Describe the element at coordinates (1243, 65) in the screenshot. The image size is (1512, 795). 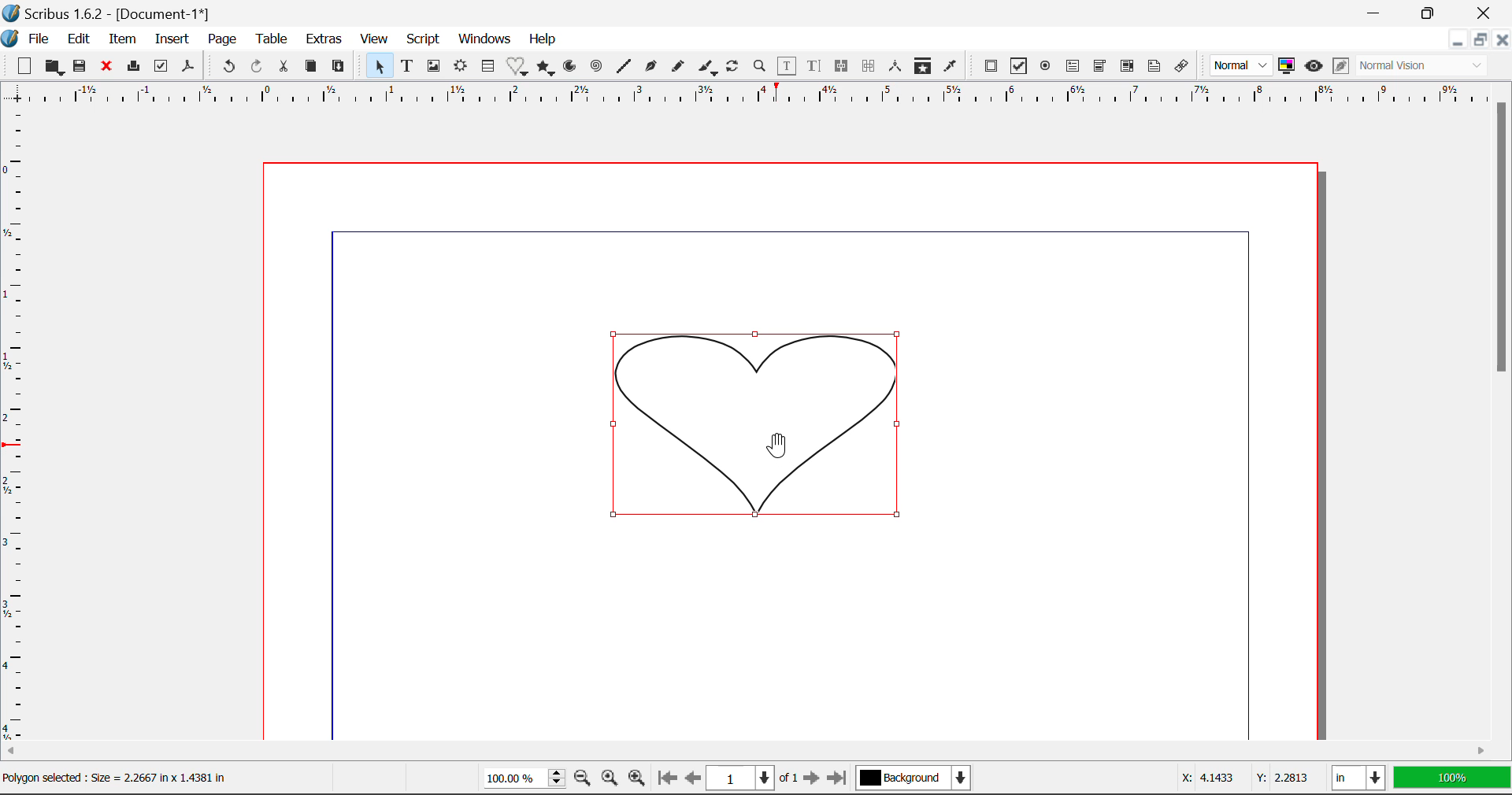
I see `Normal` at that location.